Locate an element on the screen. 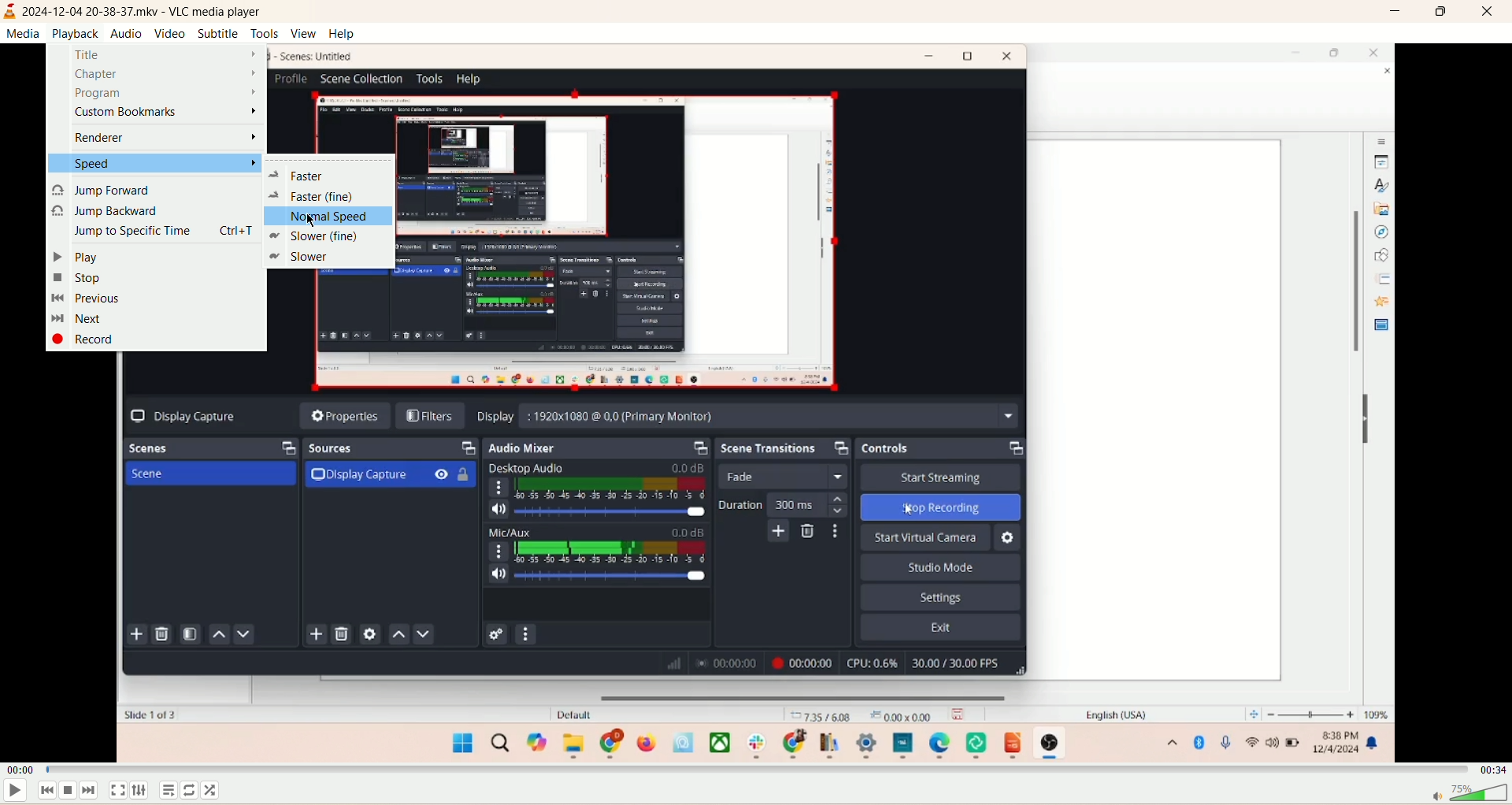 The width and height of the screenshot is (1512, 805). tools is located at coordinates (265, 34).